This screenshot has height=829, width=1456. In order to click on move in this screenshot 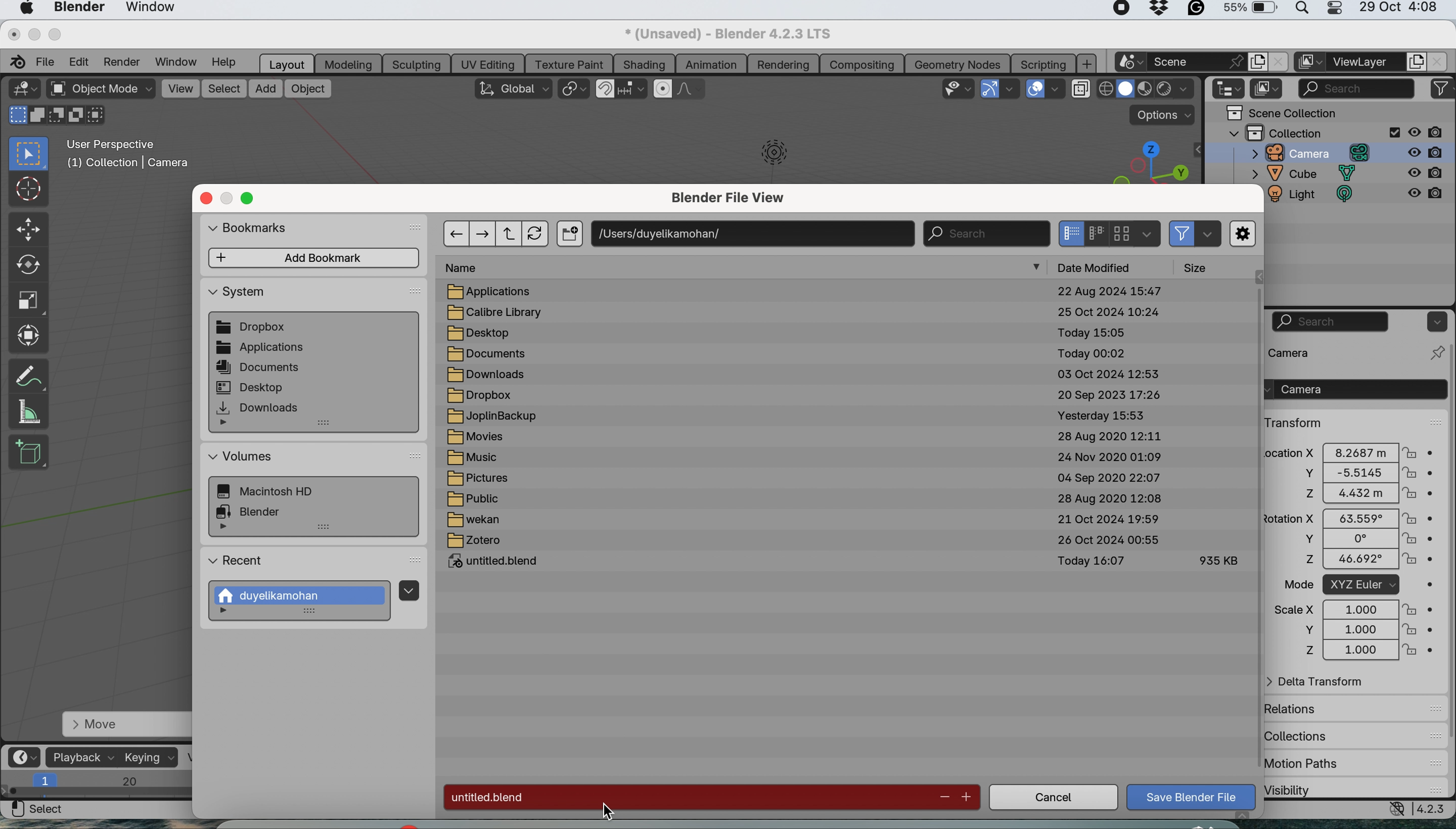, I will do `click(124, 725)`.